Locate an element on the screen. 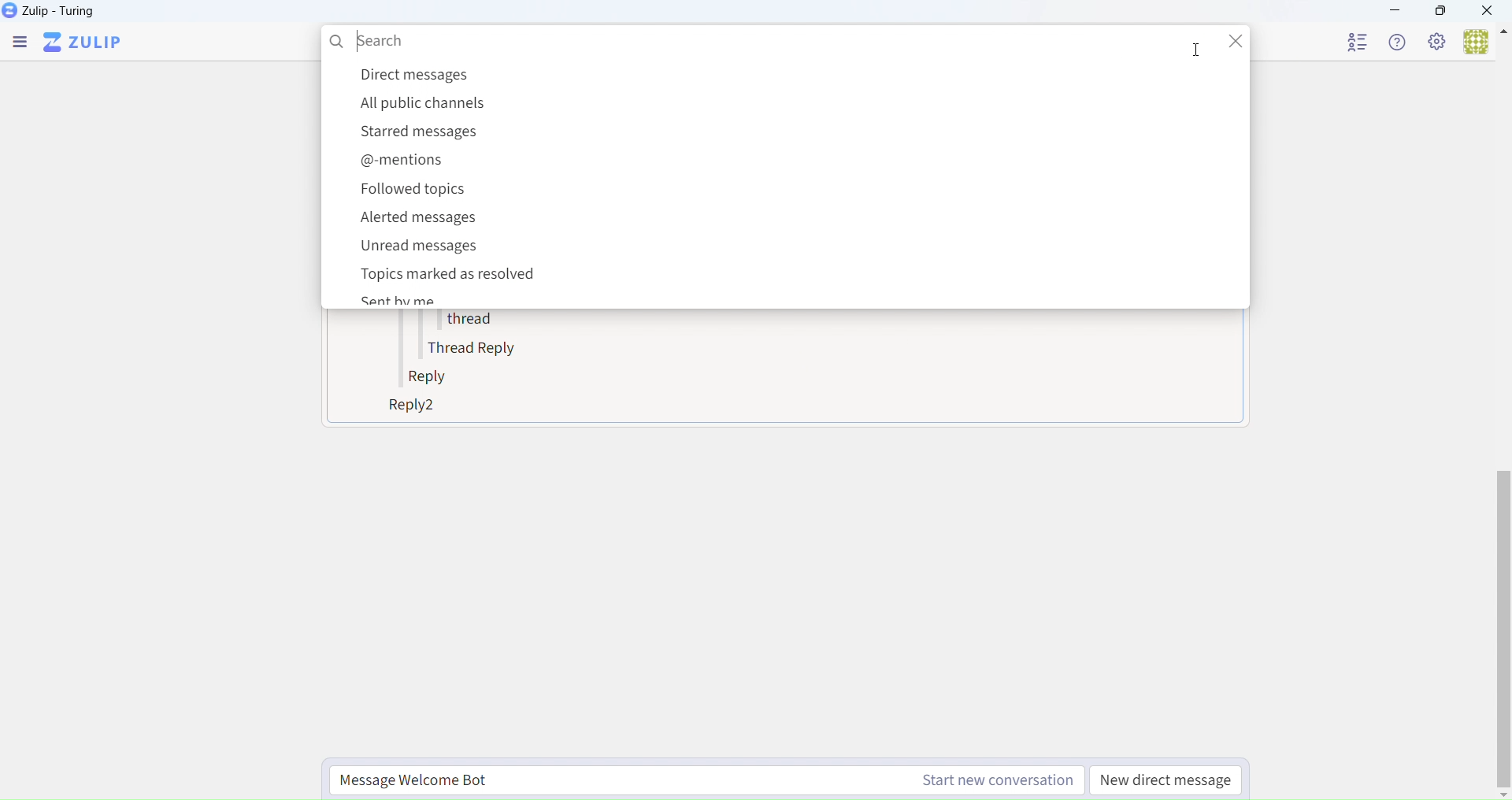 This screenshot has width=1512, height=800. Help is located at coordinates (1402, 43).